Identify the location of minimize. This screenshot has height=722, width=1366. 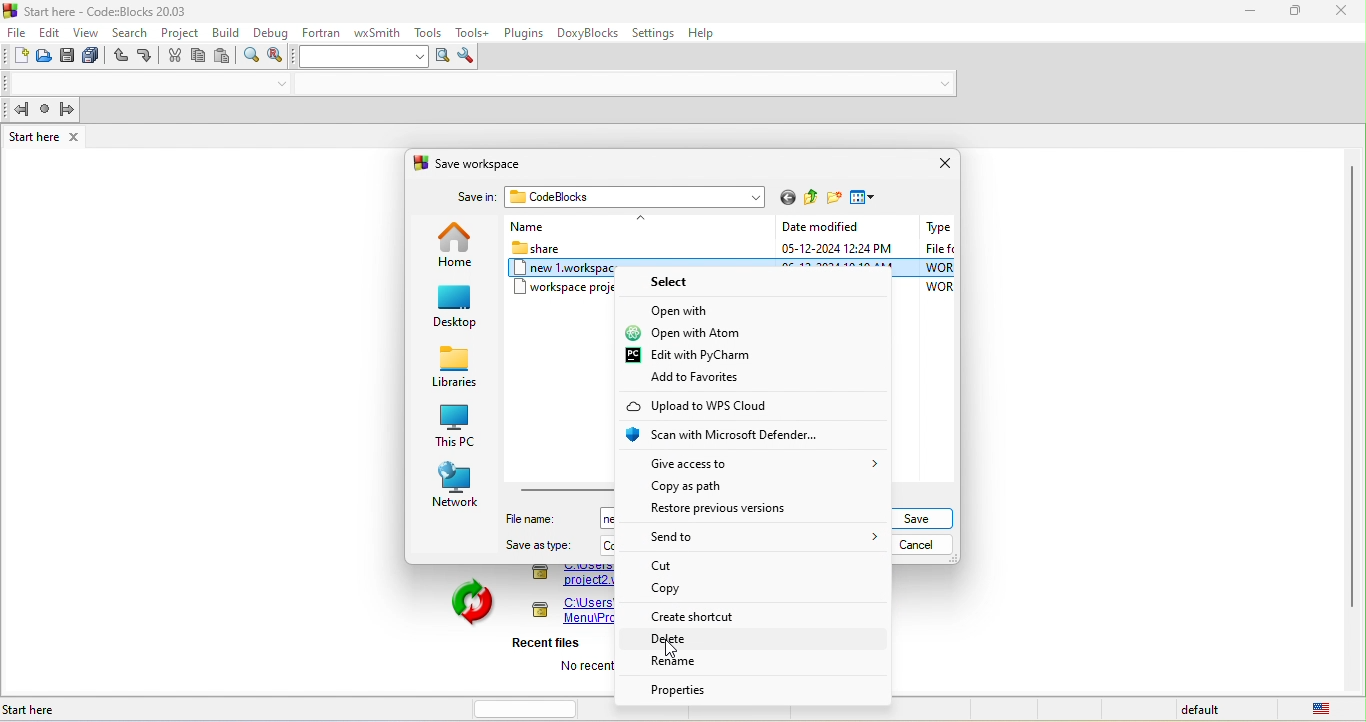
(1250, 12).